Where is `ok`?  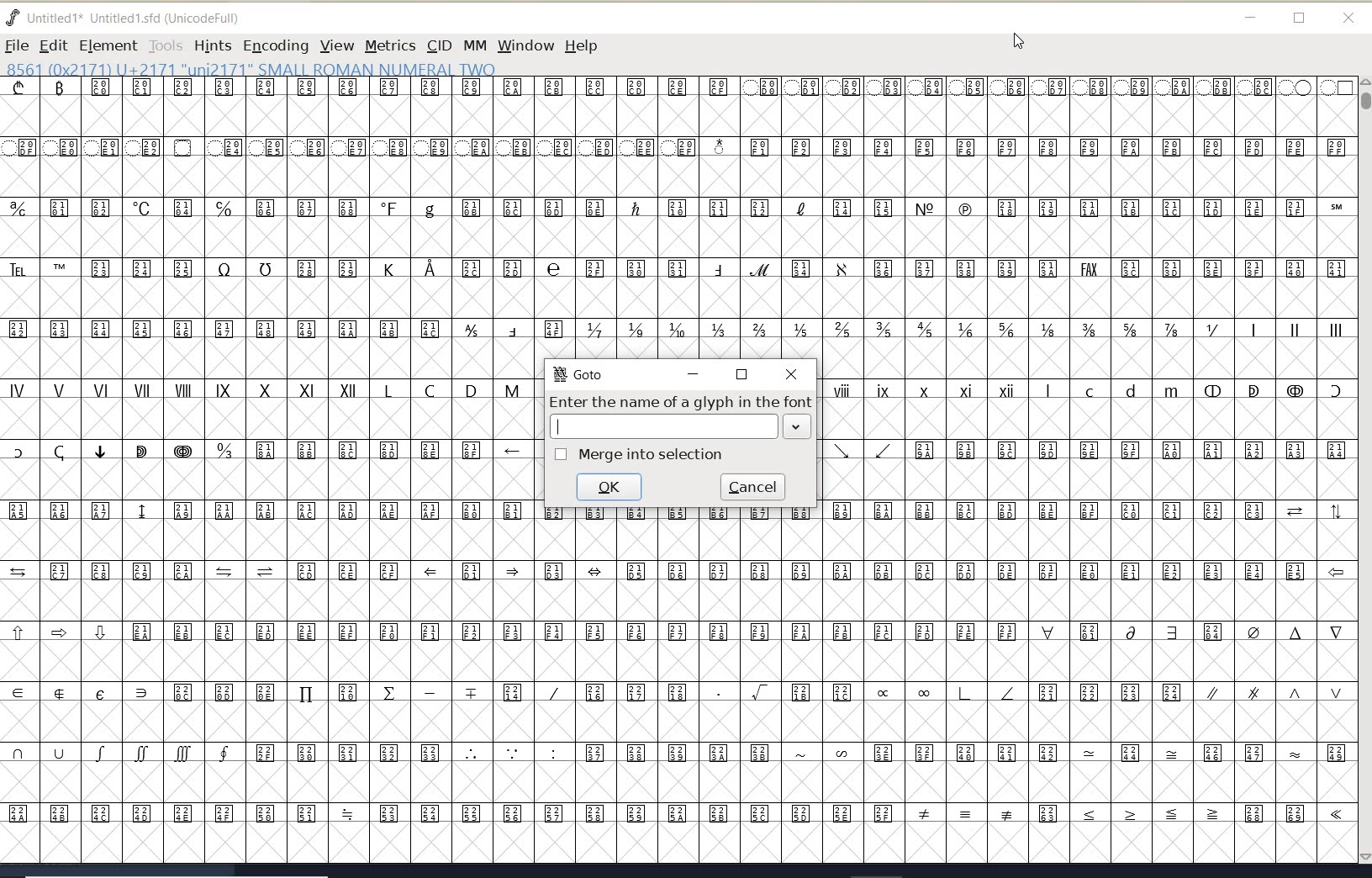
ok is located at coordinates (610, 487).